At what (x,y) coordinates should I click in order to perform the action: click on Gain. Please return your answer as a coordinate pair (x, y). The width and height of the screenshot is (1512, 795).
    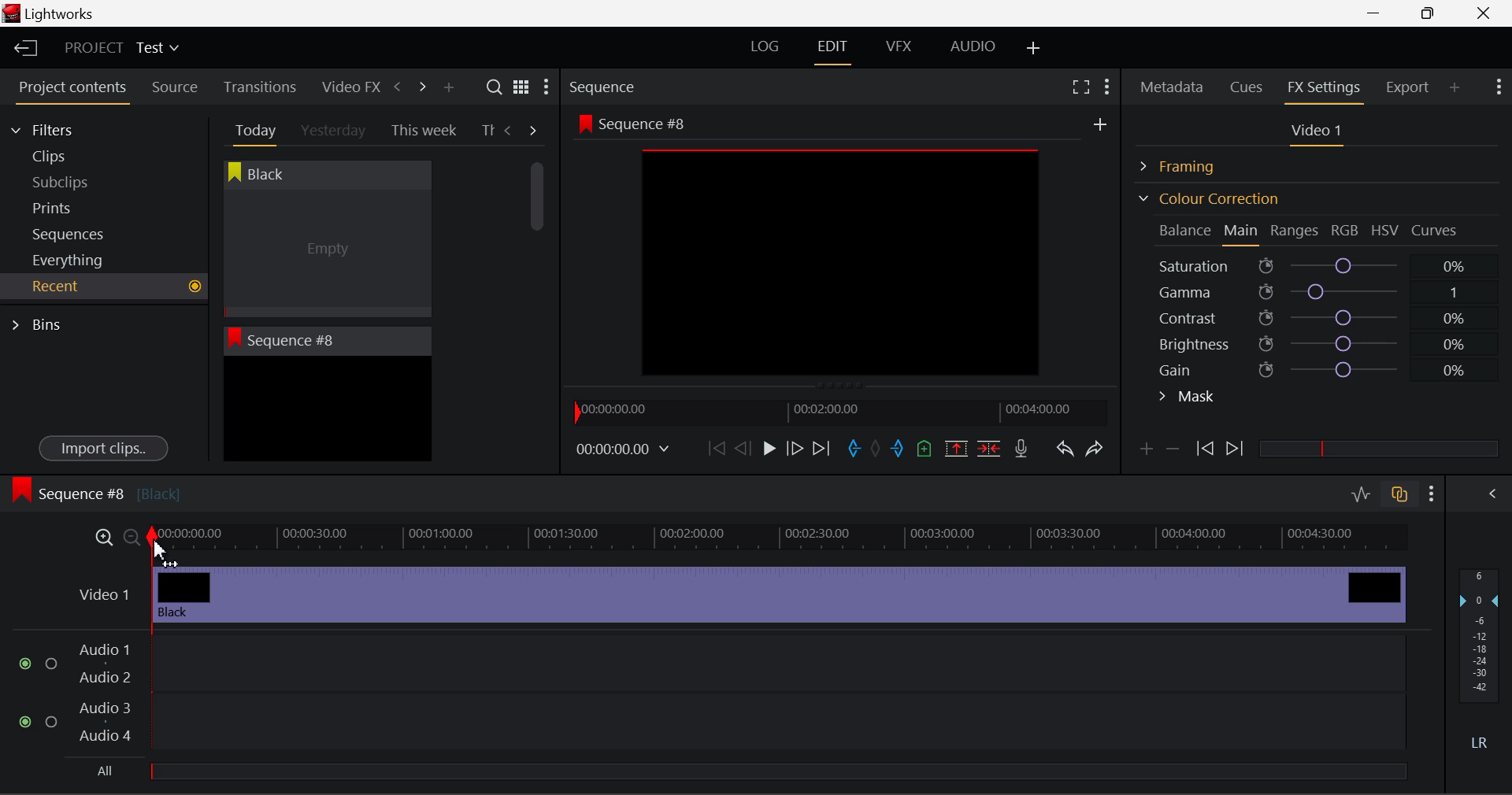
    Looking at the image, I should click on (1332, 367).